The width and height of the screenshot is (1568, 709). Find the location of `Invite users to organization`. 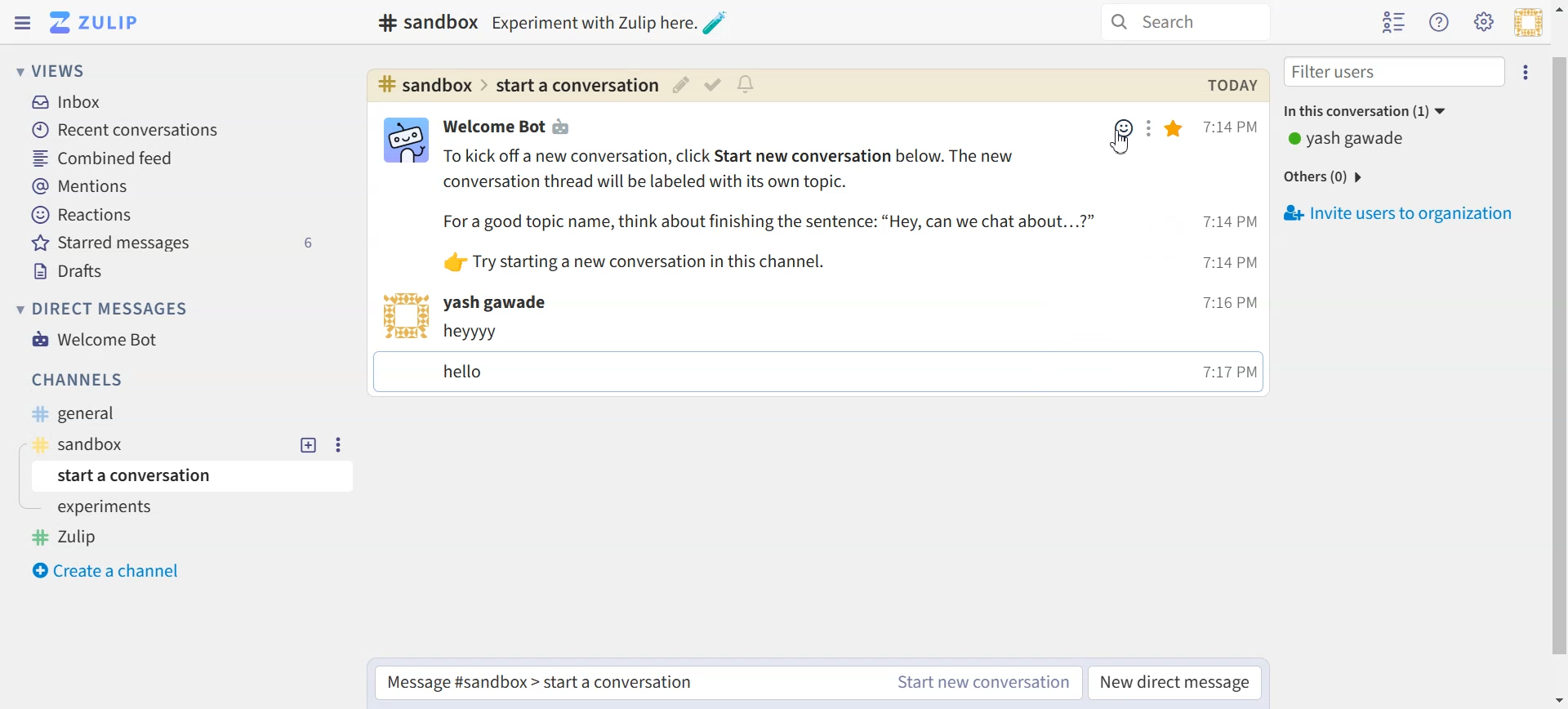

Invite users to organization is located at coordinates (1402, 214).